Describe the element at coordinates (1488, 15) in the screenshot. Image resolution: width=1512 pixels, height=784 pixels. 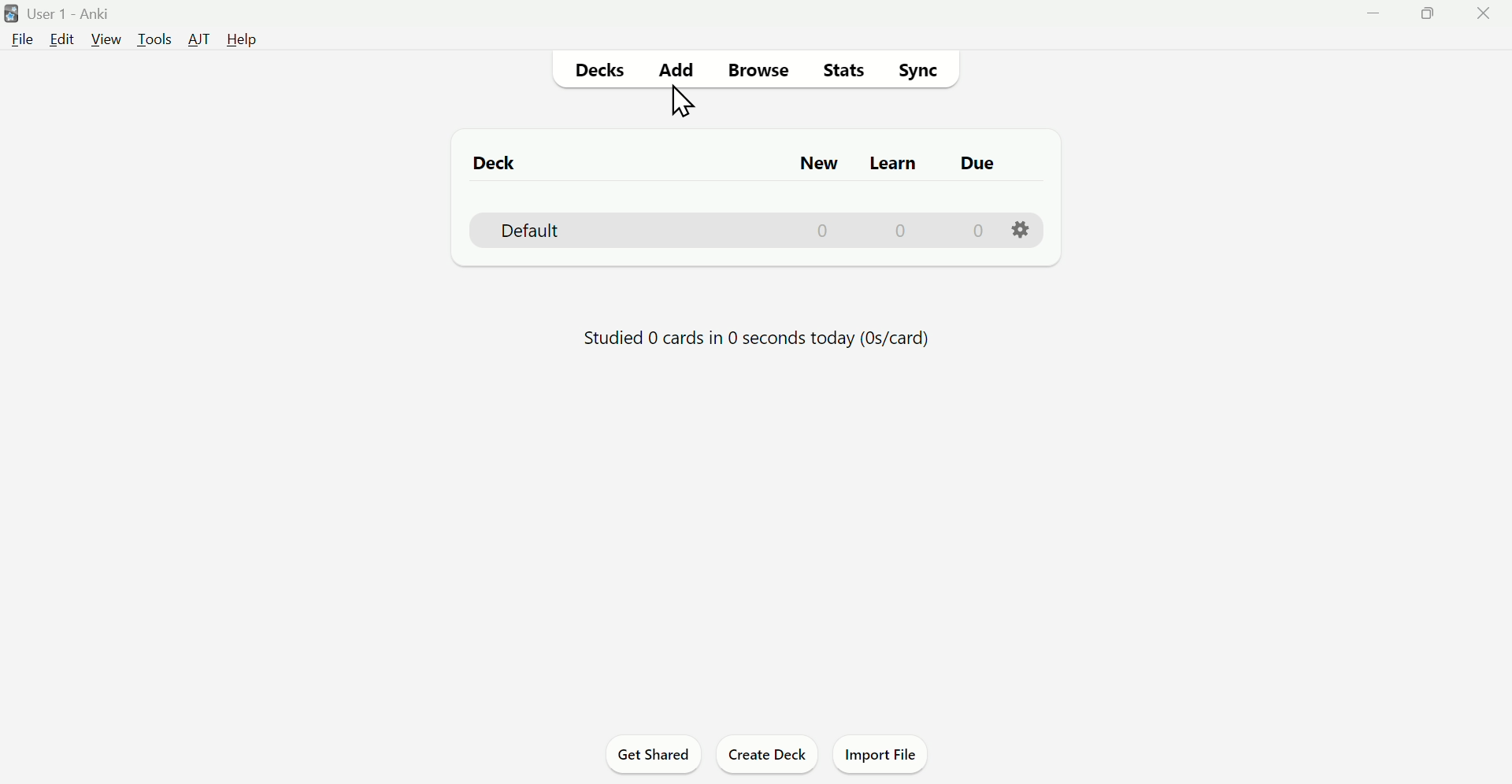
I see `Close` at that location.